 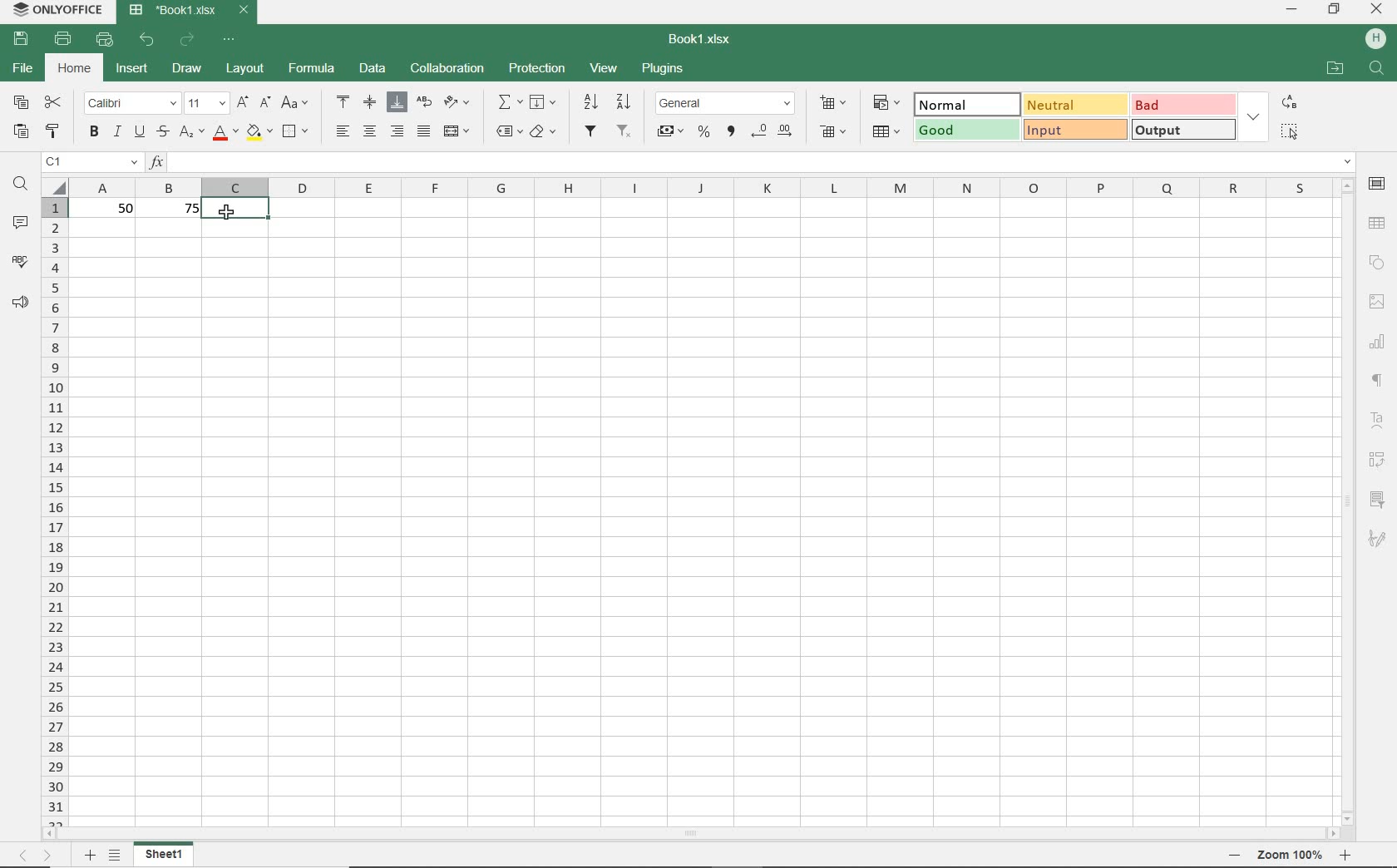 What do you see at coordinates (1335, 68) in the screenshot?
I see `open file location` at bounding box center [1335, 68].